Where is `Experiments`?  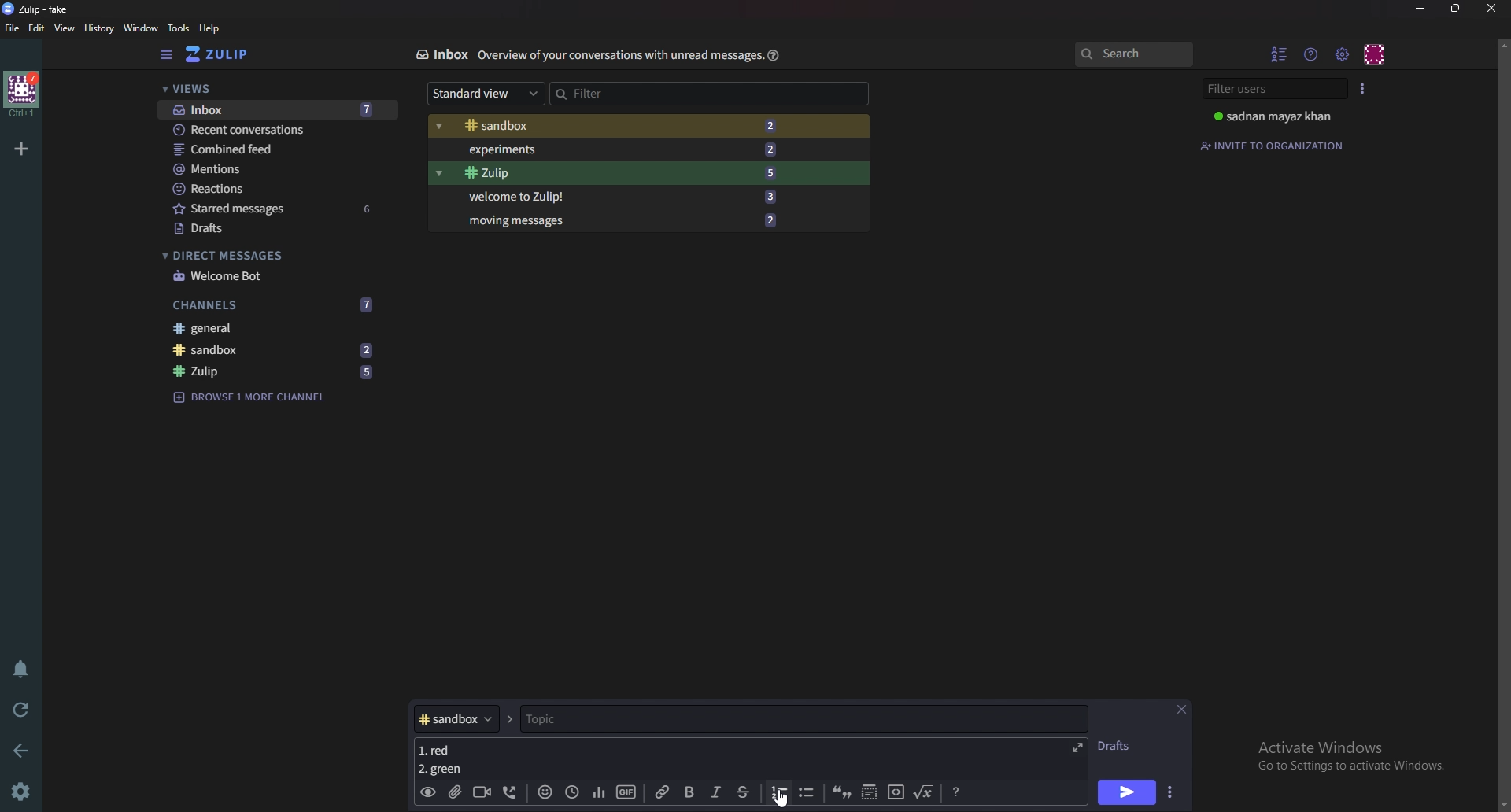 Experiments is located at coordinates (622, 149).